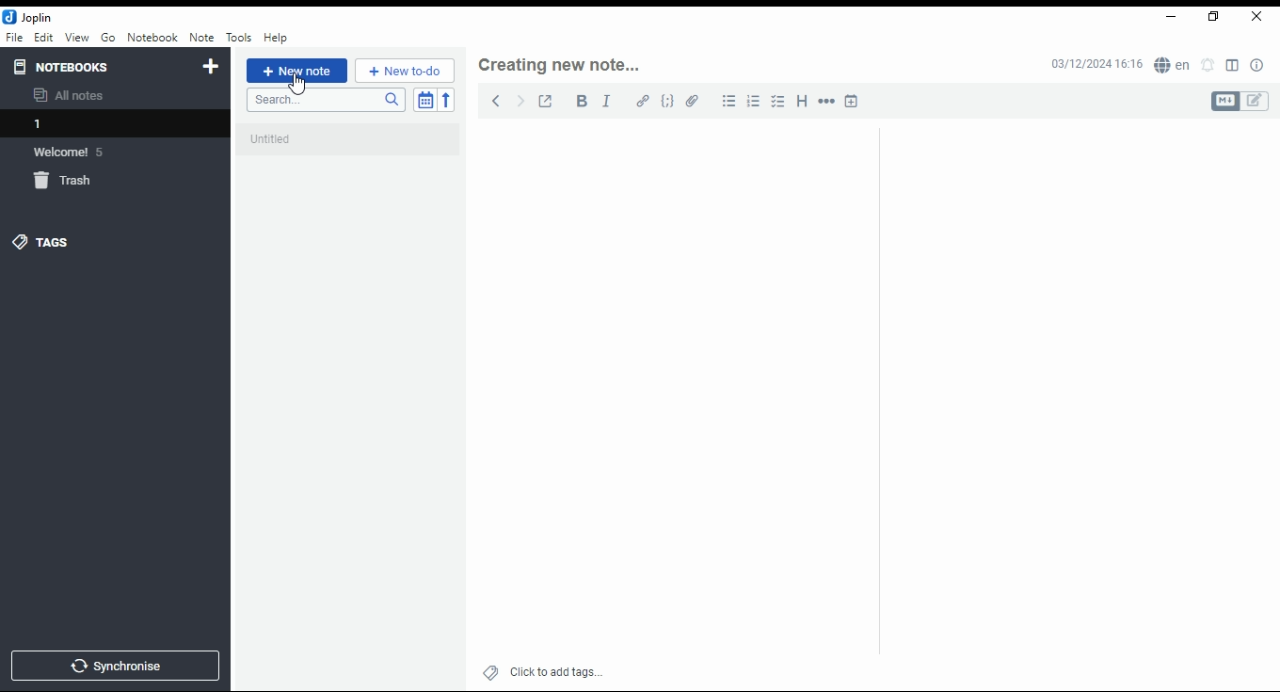 This screenshot has width=1280, height=692. Describe the element at coordinates (496, 100) in the screenshot. I see `back` at that location.